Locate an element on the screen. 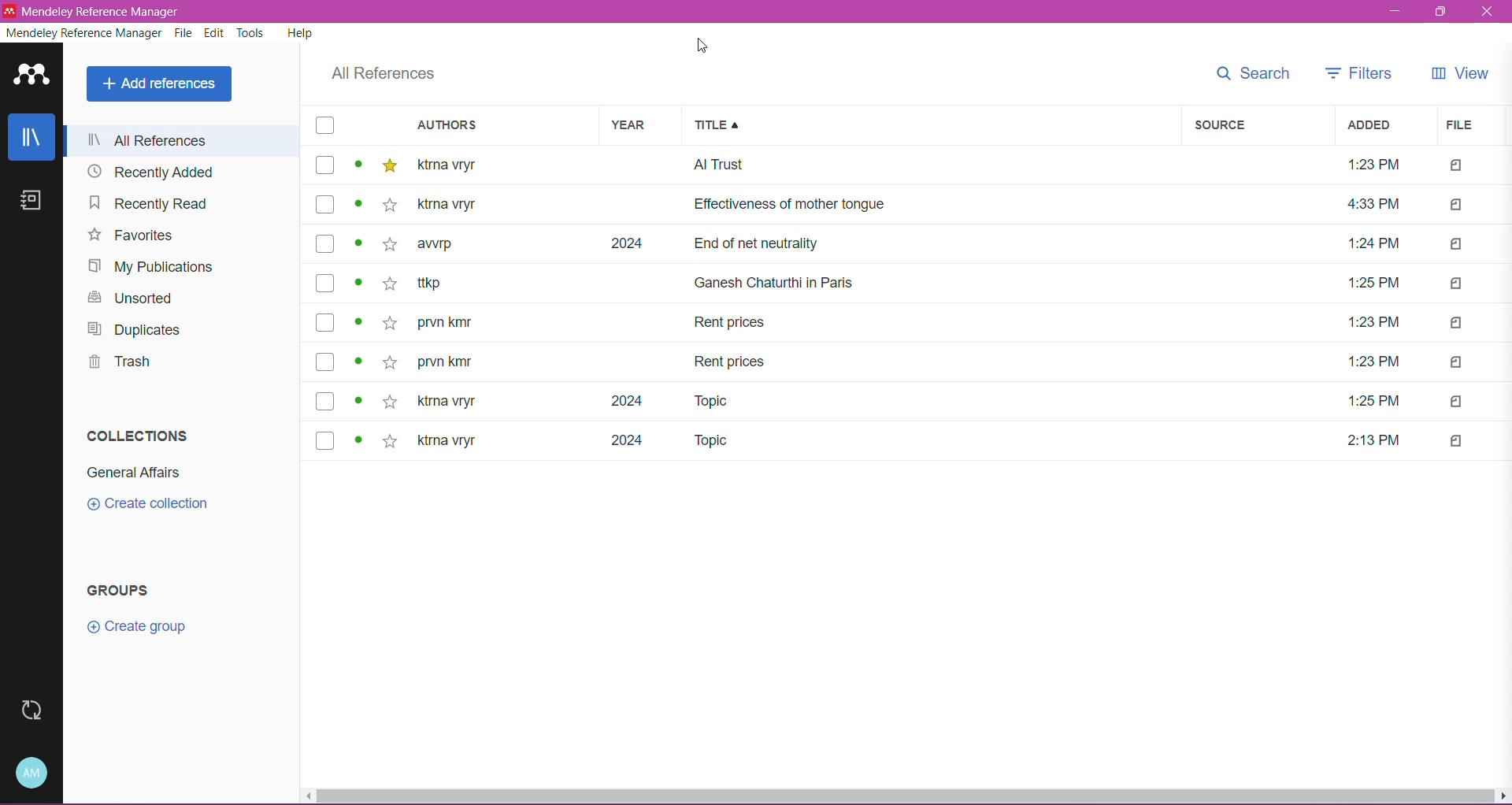 The height and width of the screenshot is (805, 1512). All References is located at coordinates (385, 73).